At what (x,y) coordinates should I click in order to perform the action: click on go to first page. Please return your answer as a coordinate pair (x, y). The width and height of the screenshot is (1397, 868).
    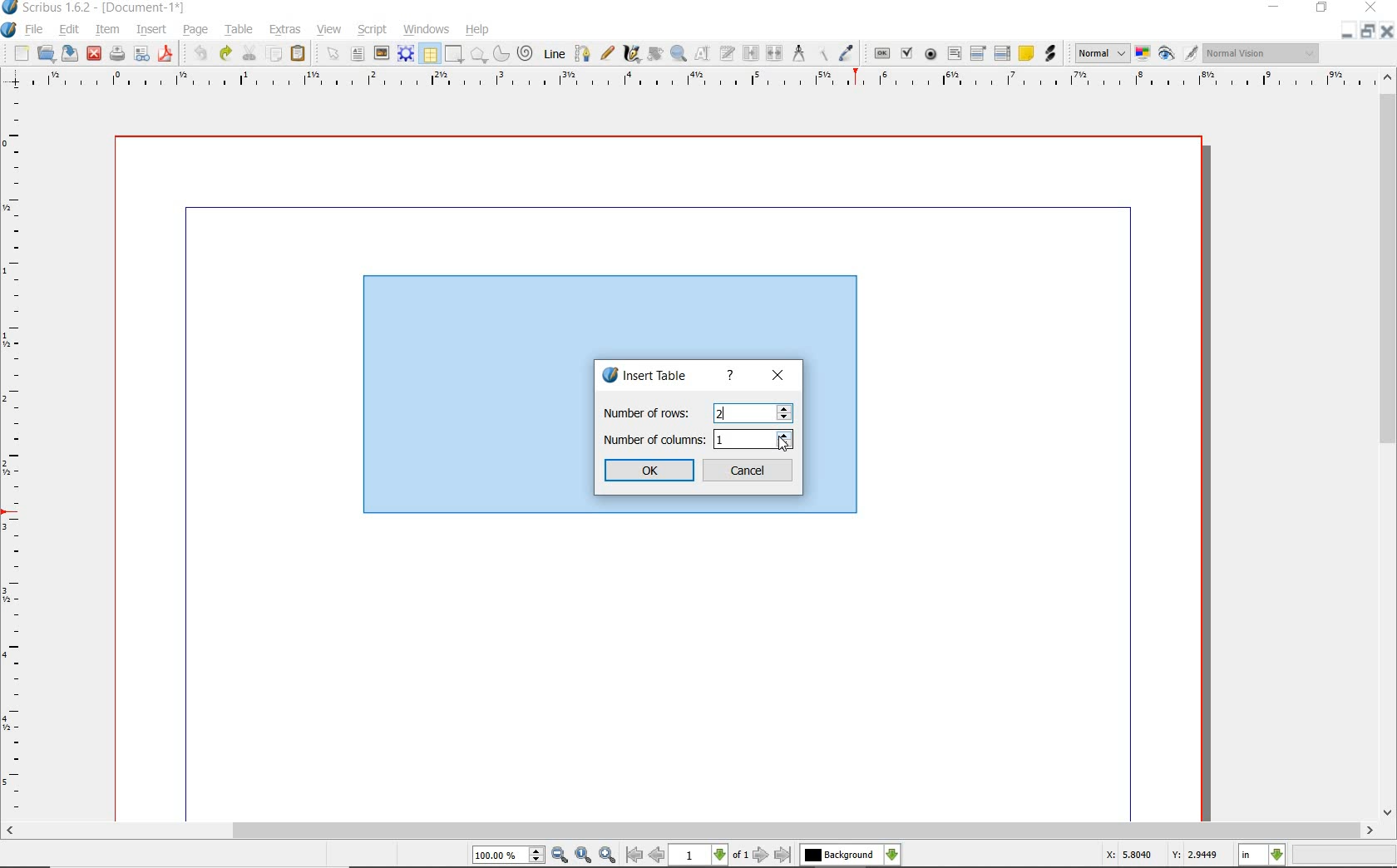
    Looking at the image, I should click on (634, 856).